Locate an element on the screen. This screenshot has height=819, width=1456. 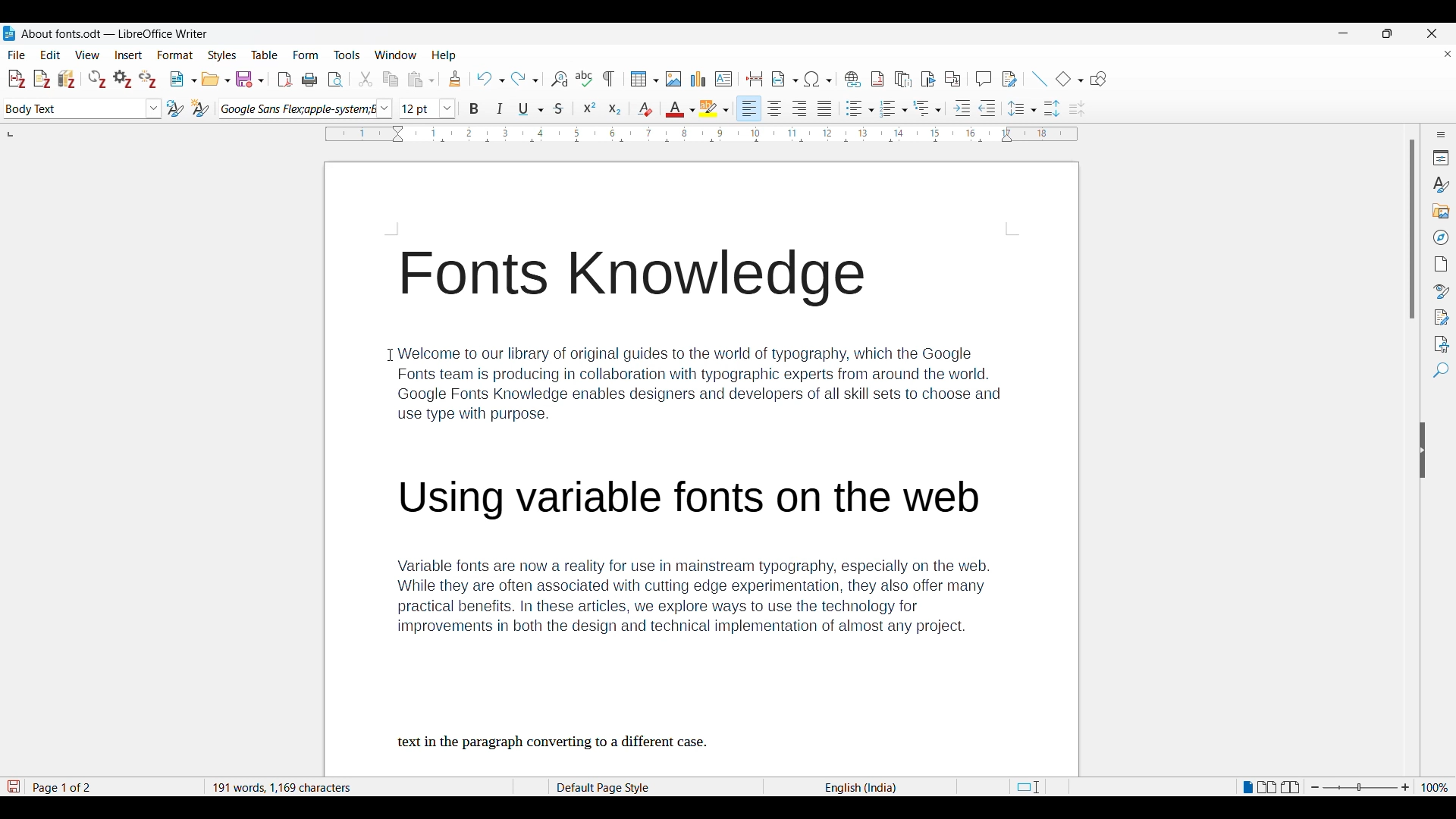
Copy is located at coordinates (390, 79).